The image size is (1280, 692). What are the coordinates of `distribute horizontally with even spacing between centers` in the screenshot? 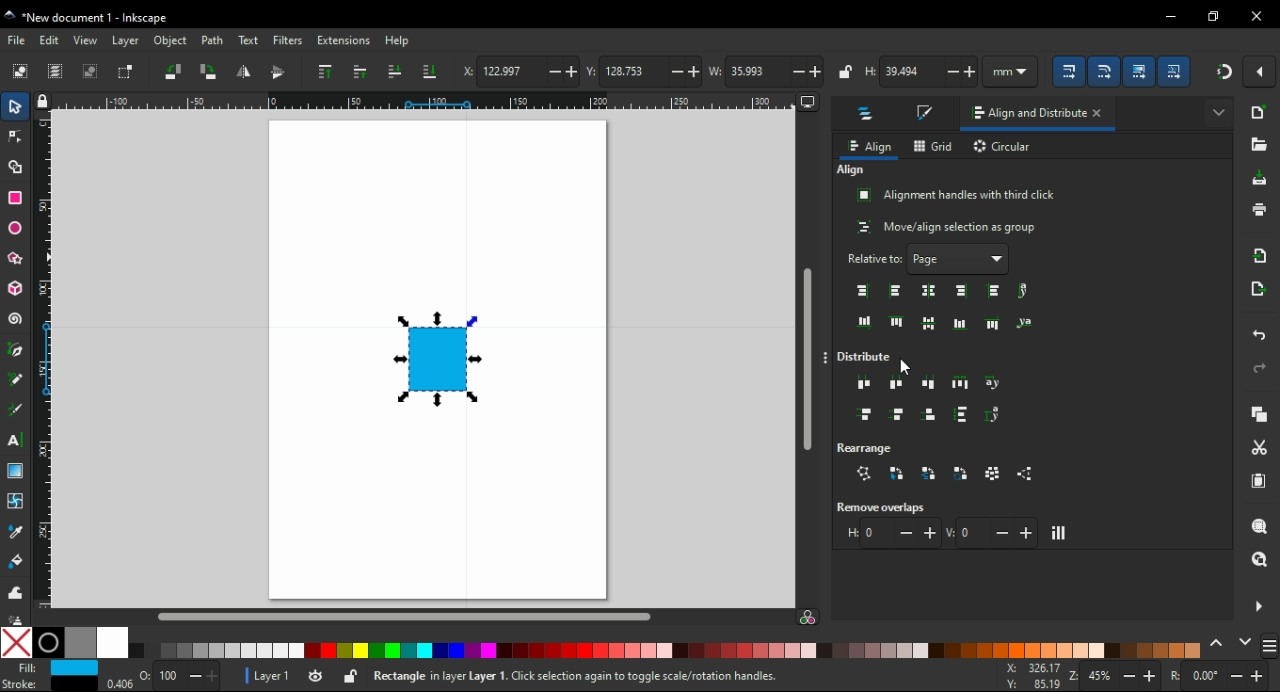 It's located at (897, 383).